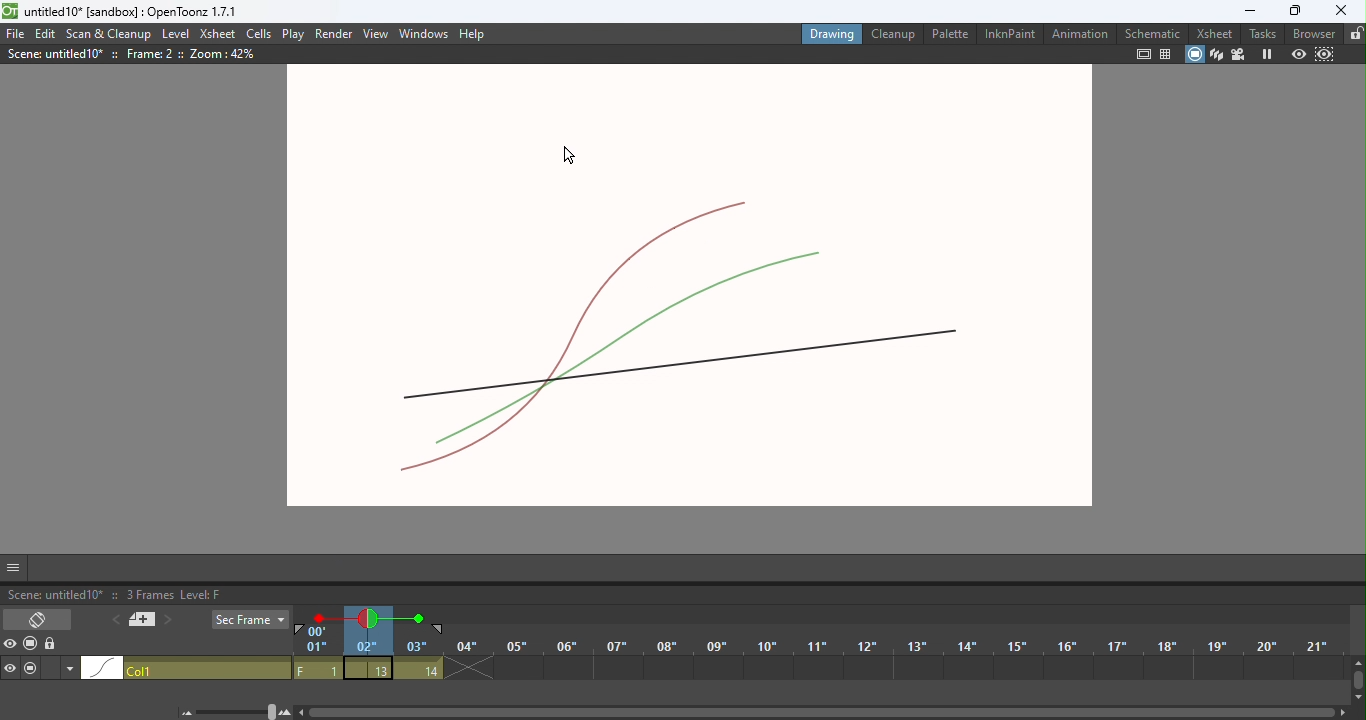 This screenshot has height=720, width=1366. I want to click on Scene: untitled10* :: 3 Frames Level: F, so click(682, 593).